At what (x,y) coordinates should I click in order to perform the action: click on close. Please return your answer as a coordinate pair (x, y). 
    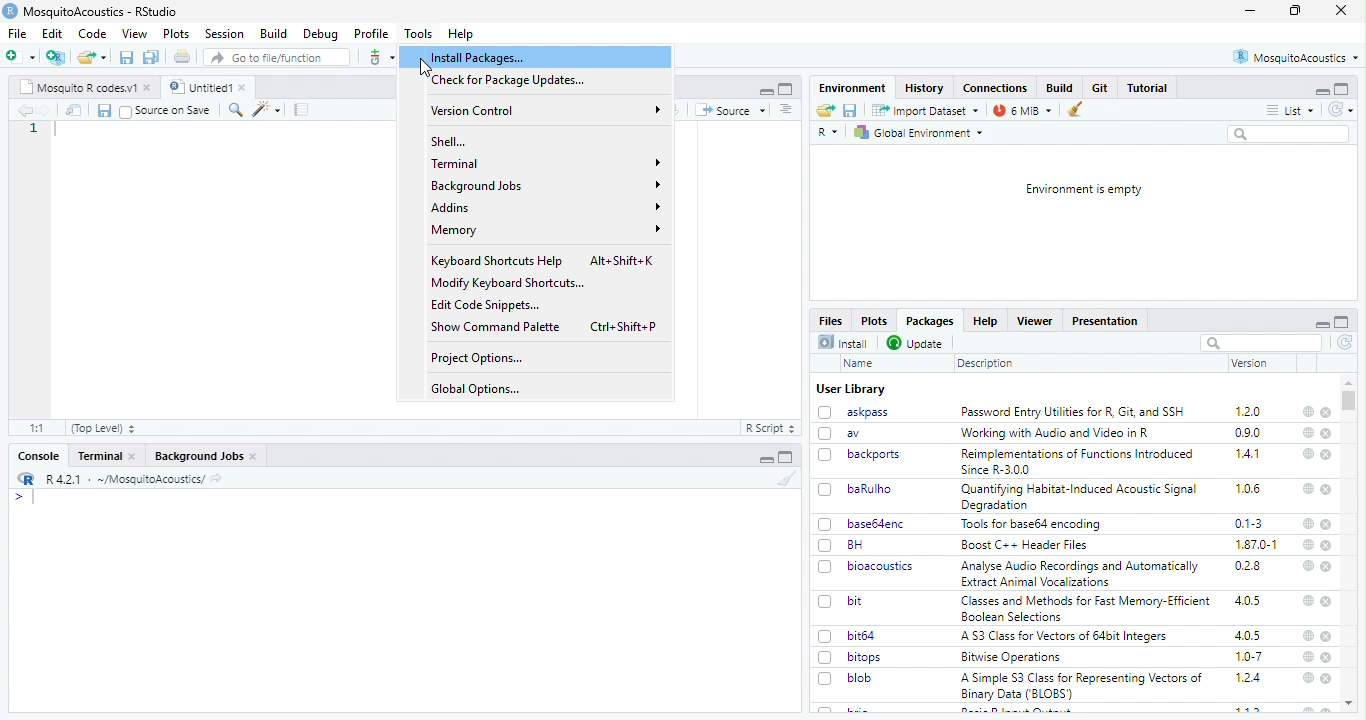
    Looking at the image, I should click on (1326, 455).